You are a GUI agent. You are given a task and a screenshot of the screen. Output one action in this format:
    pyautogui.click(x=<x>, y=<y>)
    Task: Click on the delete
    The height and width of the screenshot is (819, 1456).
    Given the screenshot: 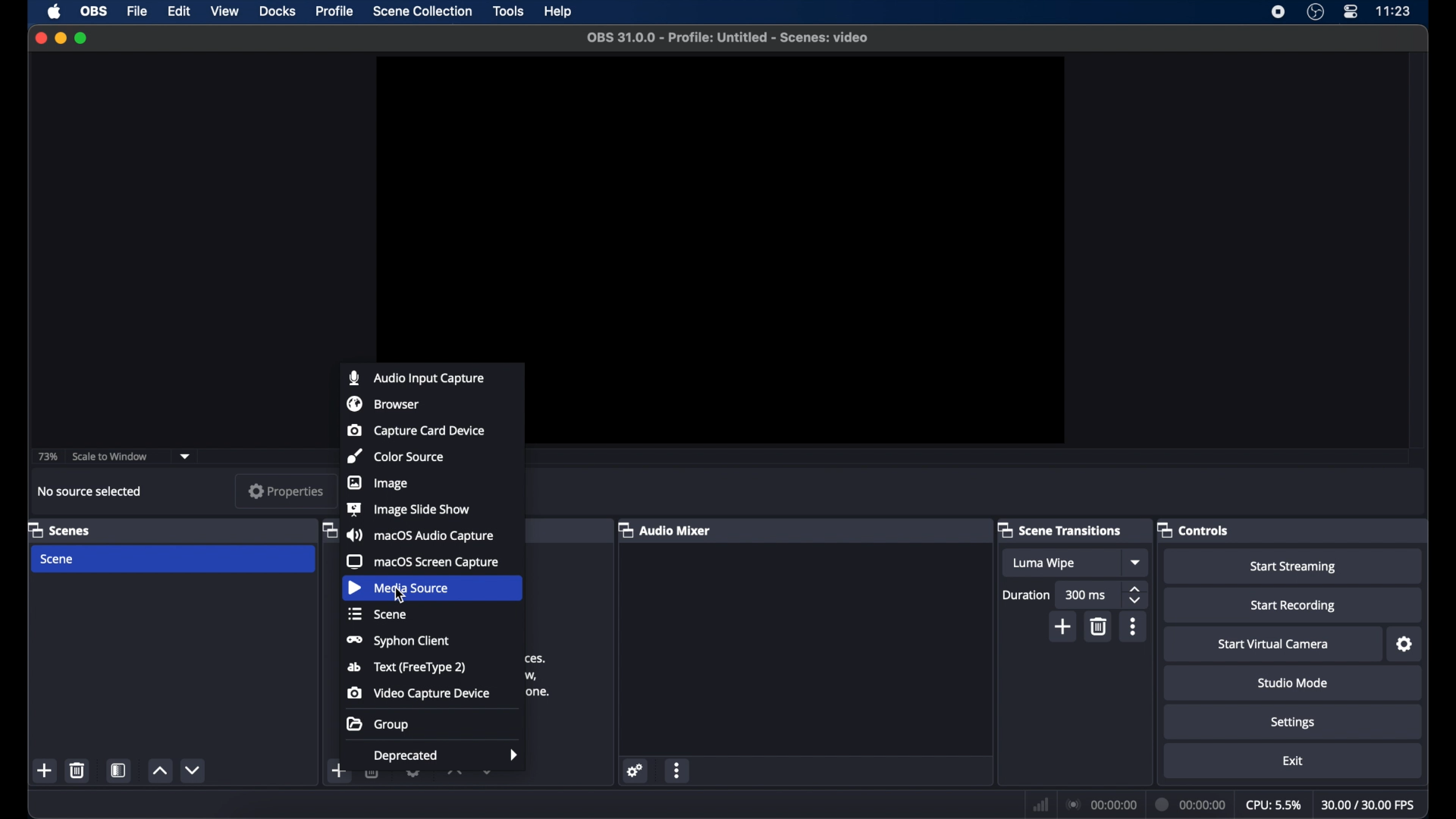 What is the action you would take?
    pyautogui.click(x=373, y=775)
    